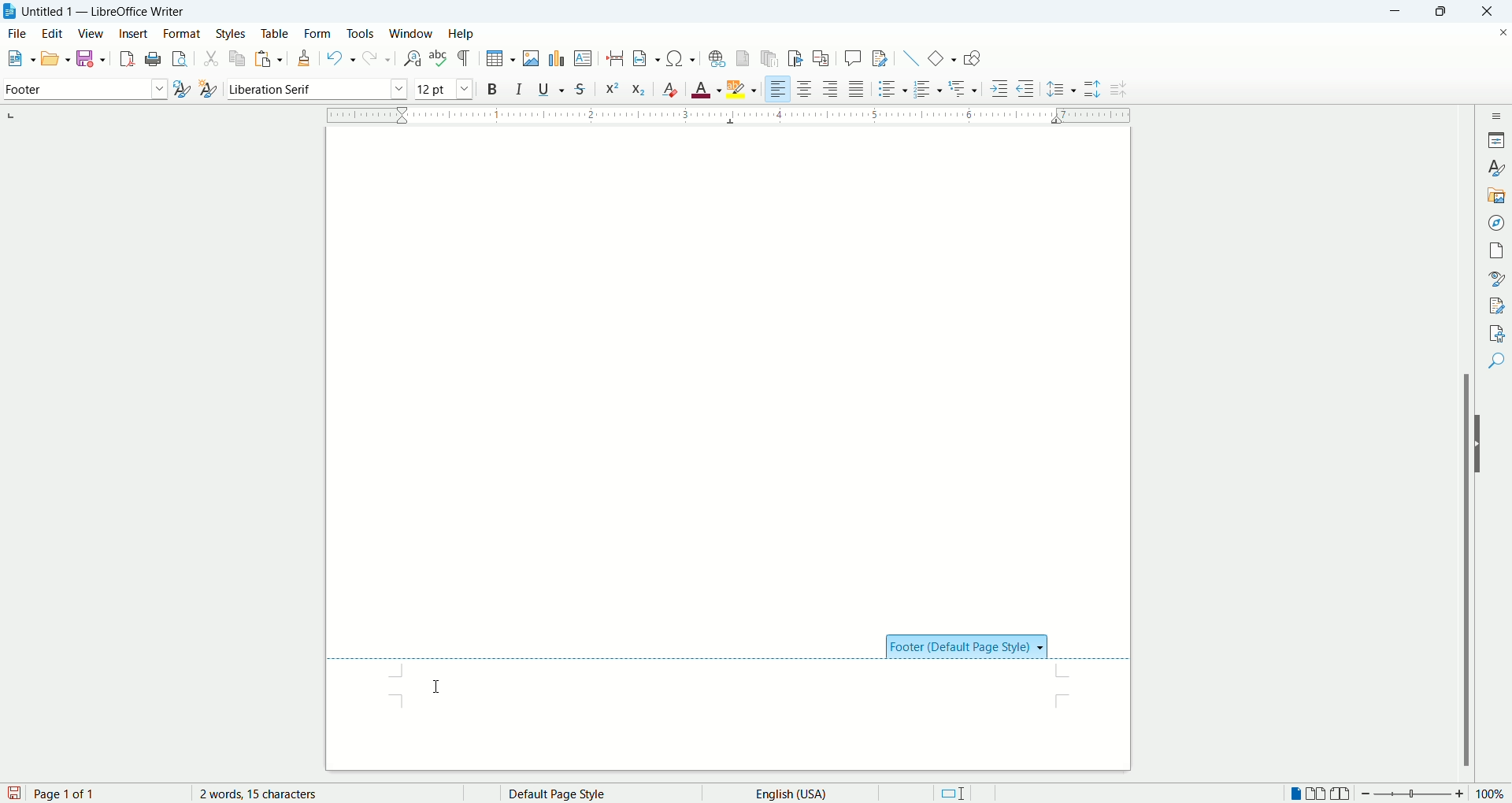  Describe the element at coordinates (1499, 360) in the screenshot. I see `find` at that location.